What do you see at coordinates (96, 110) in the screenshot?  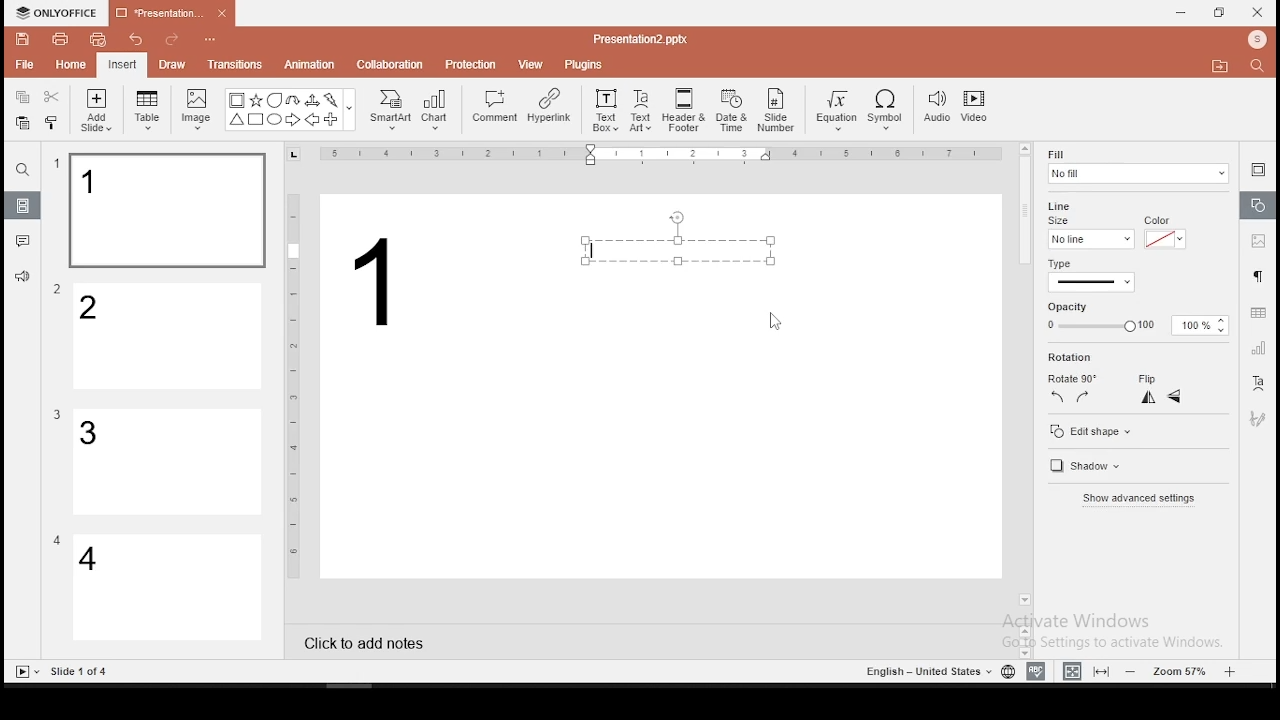 I see `add slide` at bounding box center [96, 110].